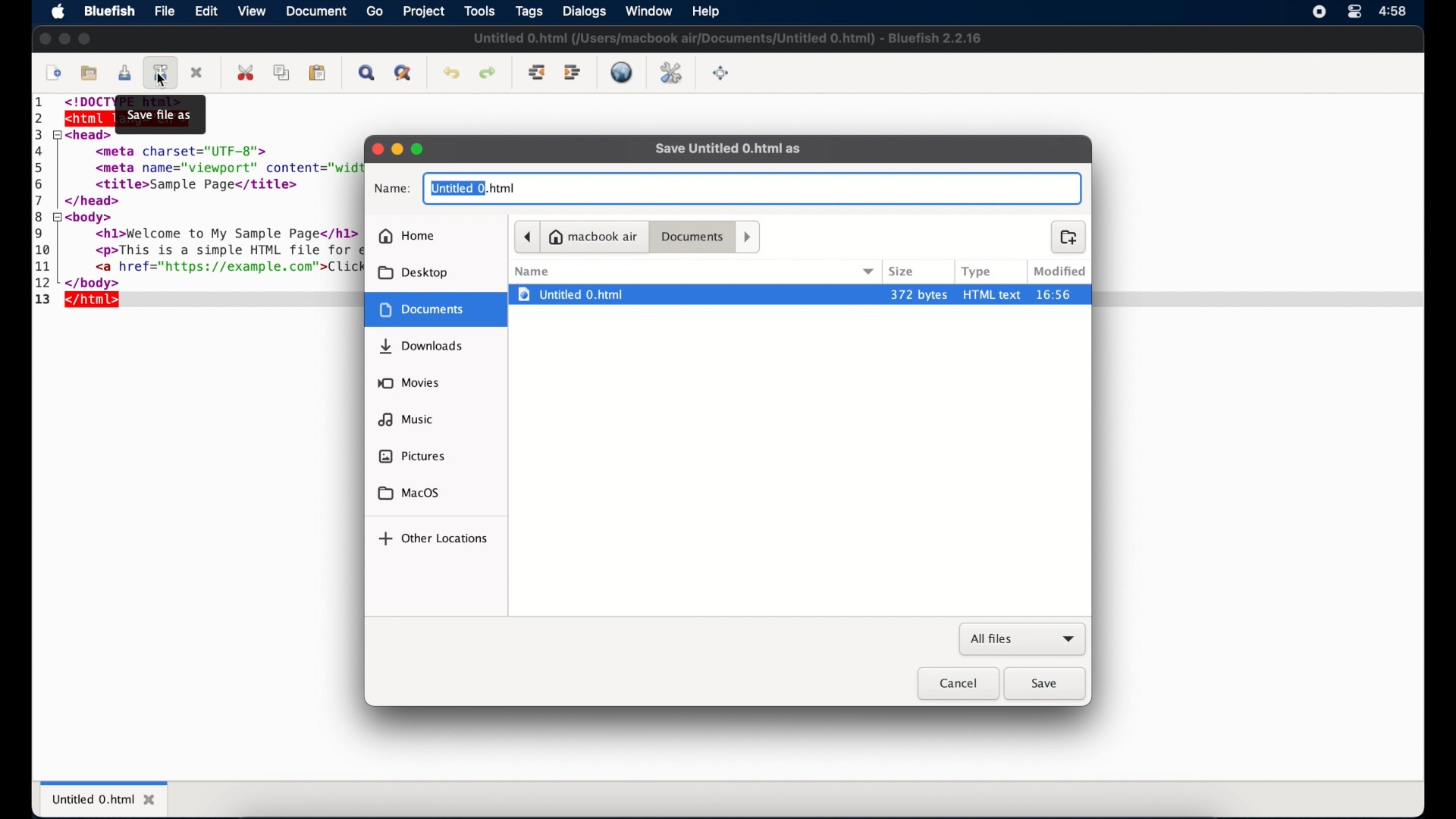 Image resolution: width=1456 pixels, height=819 pixels. What do you see at coordinates (530, 12) in the screenshot?
I see `tags` at bounding box center [530, 12].